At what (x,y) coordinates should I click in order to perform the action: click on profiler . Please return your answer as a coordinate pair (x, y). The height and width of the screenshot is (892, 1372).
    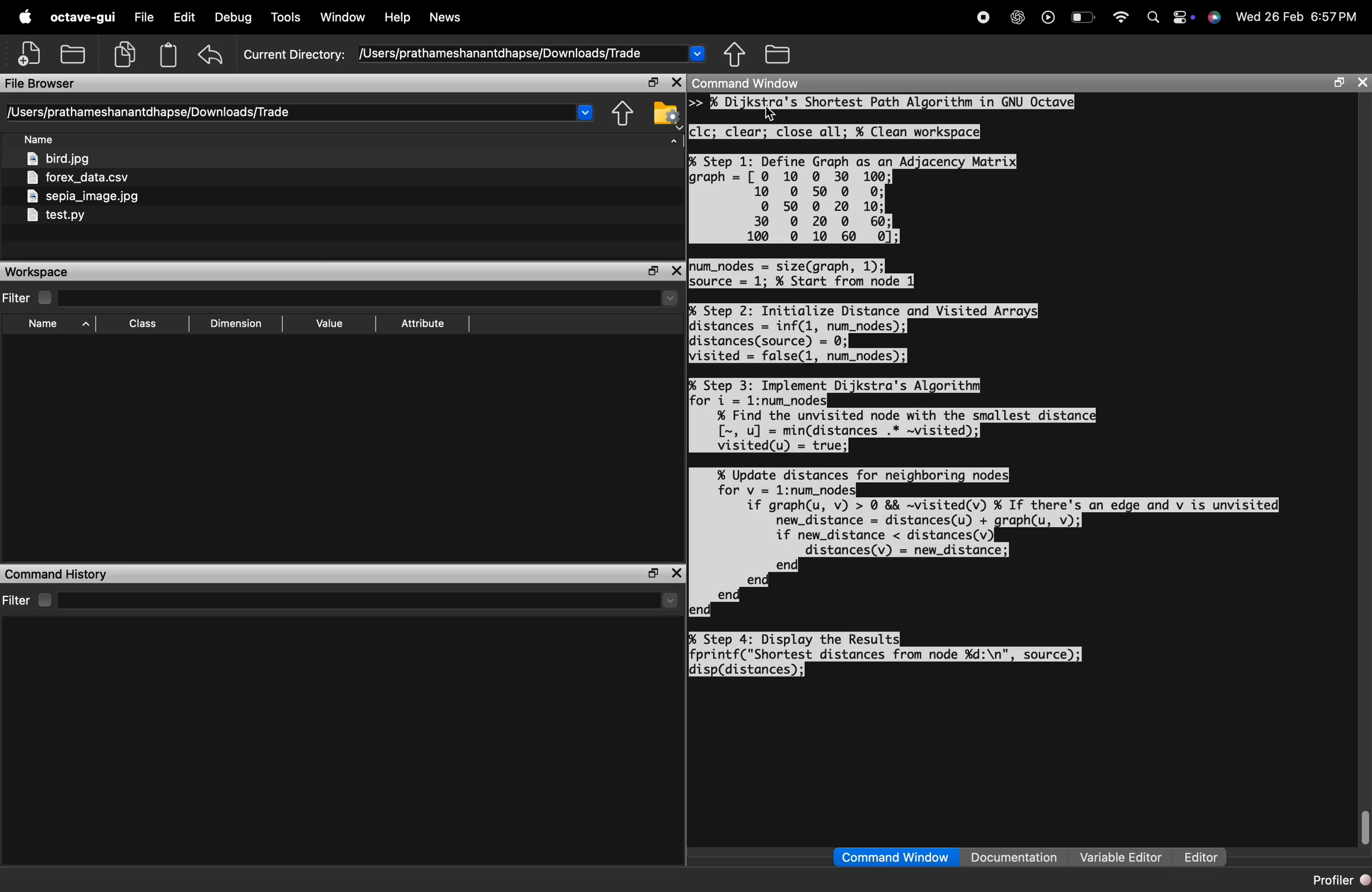
    Looking at the image, I should click on (1337, 880).